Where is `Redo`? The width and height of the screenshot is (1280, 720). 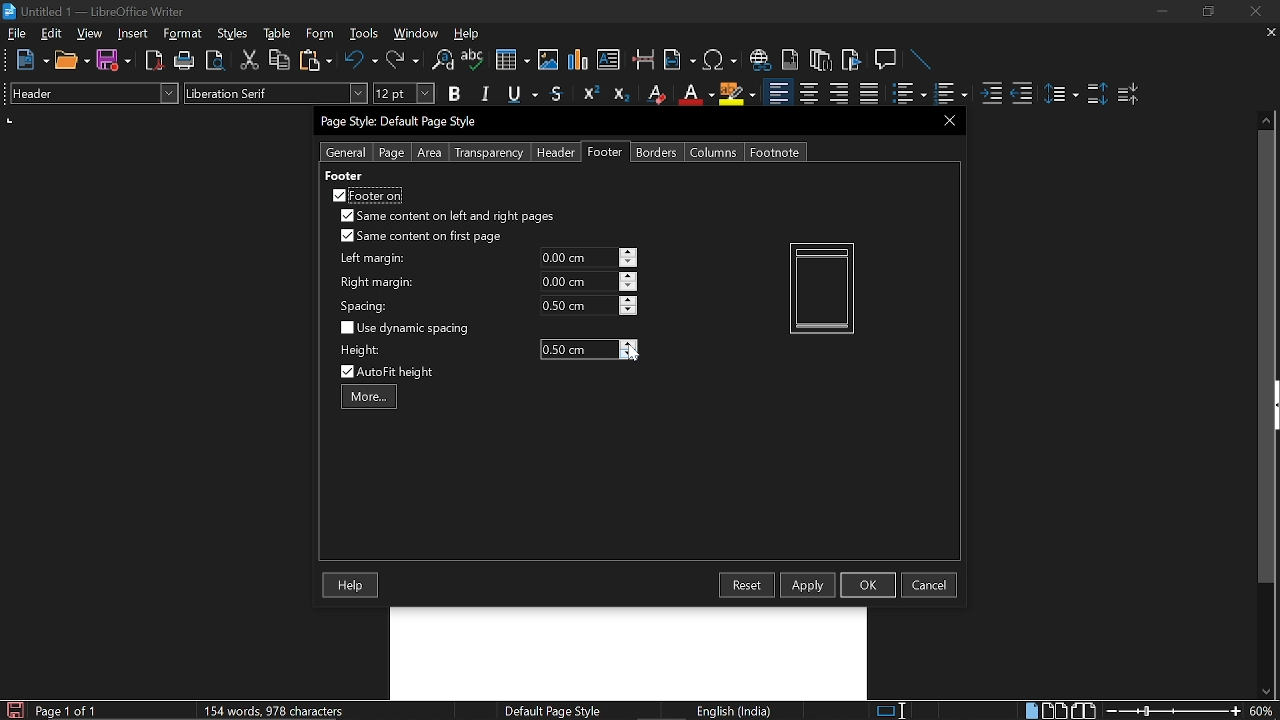 Redo is located at coordinates (402, 60).